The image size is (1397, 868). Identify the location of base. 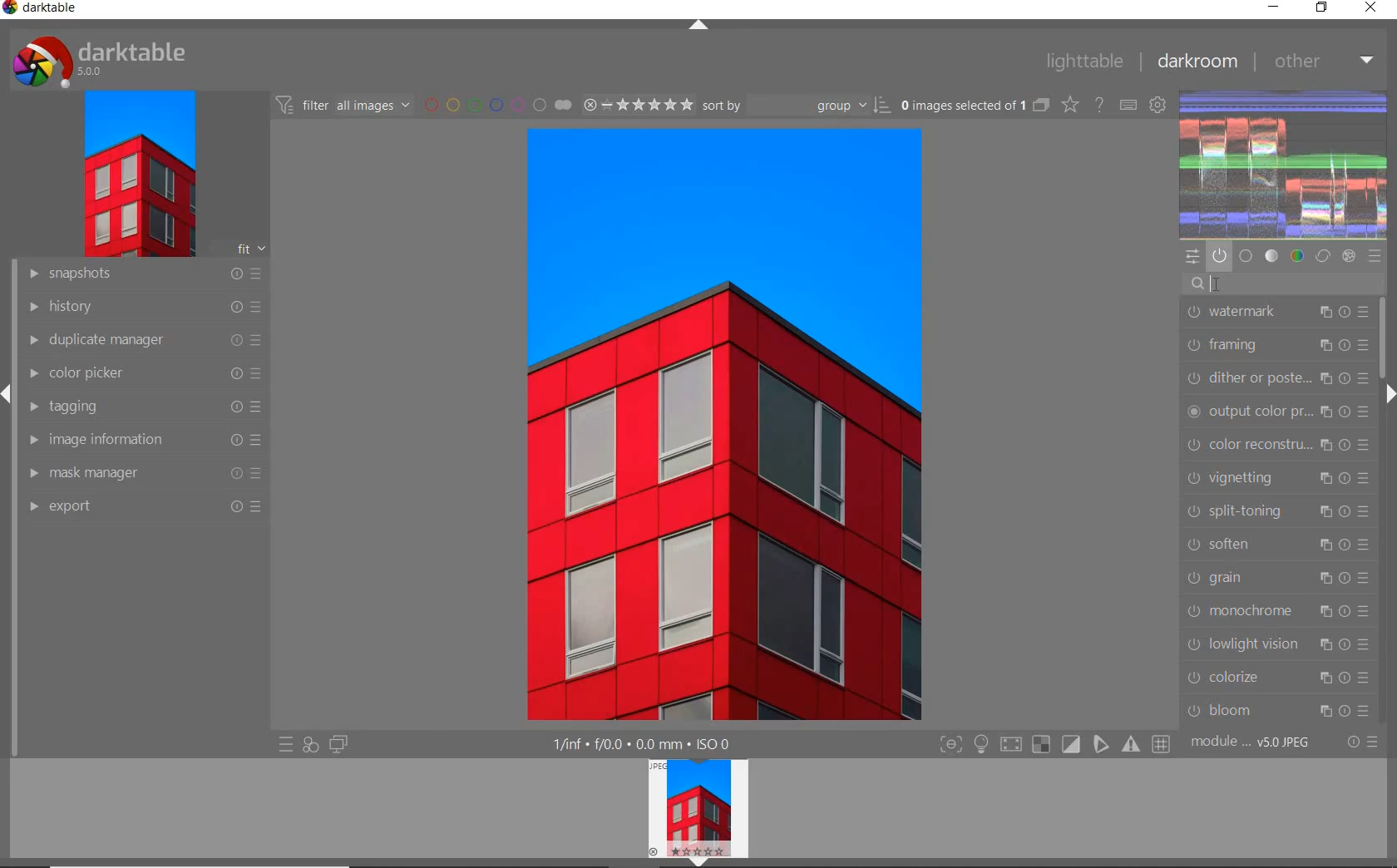
(1246, 254).